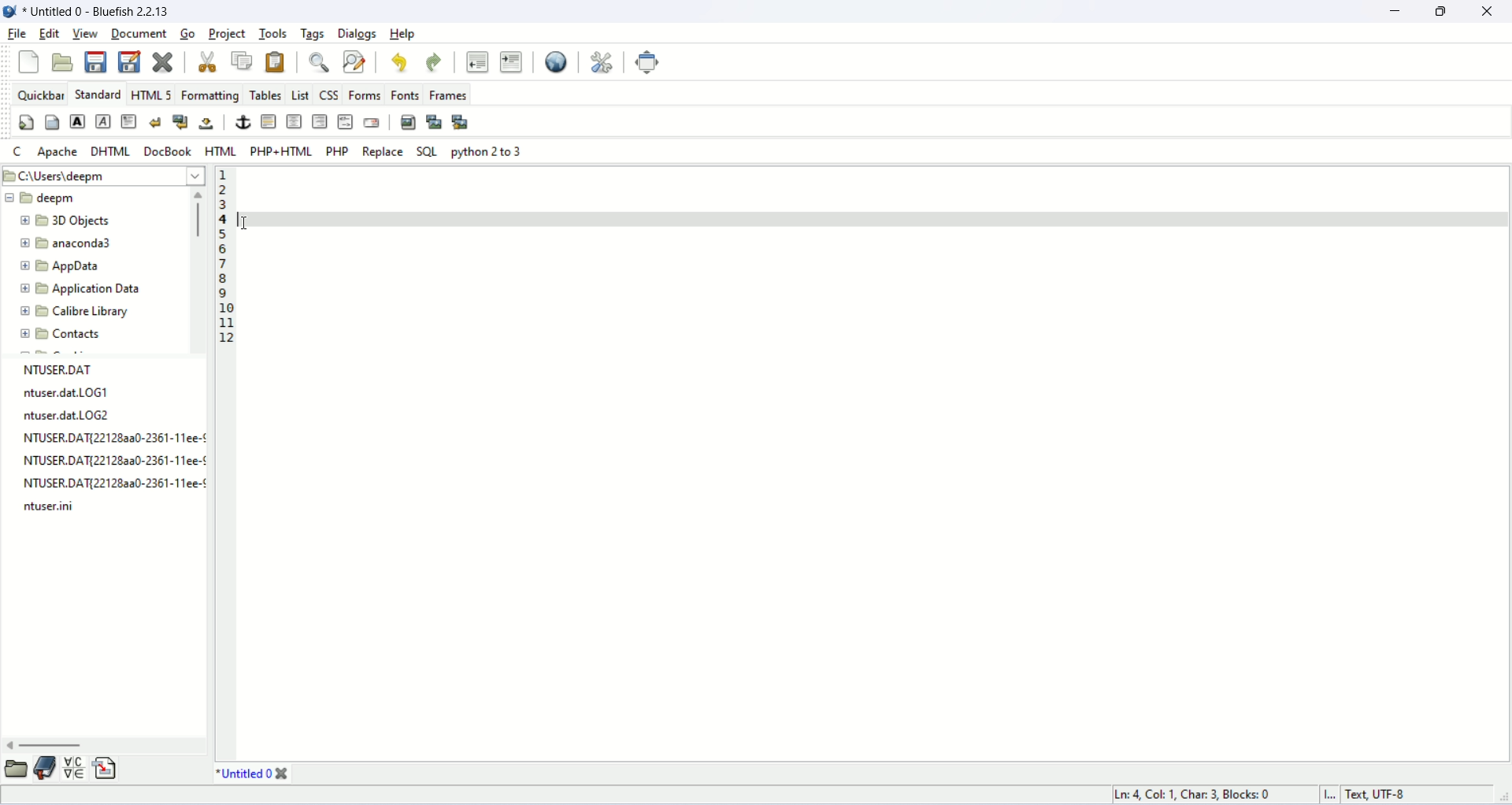 This screenshot has height=805, width=1512. I want to click on line number, so click(223, 256).